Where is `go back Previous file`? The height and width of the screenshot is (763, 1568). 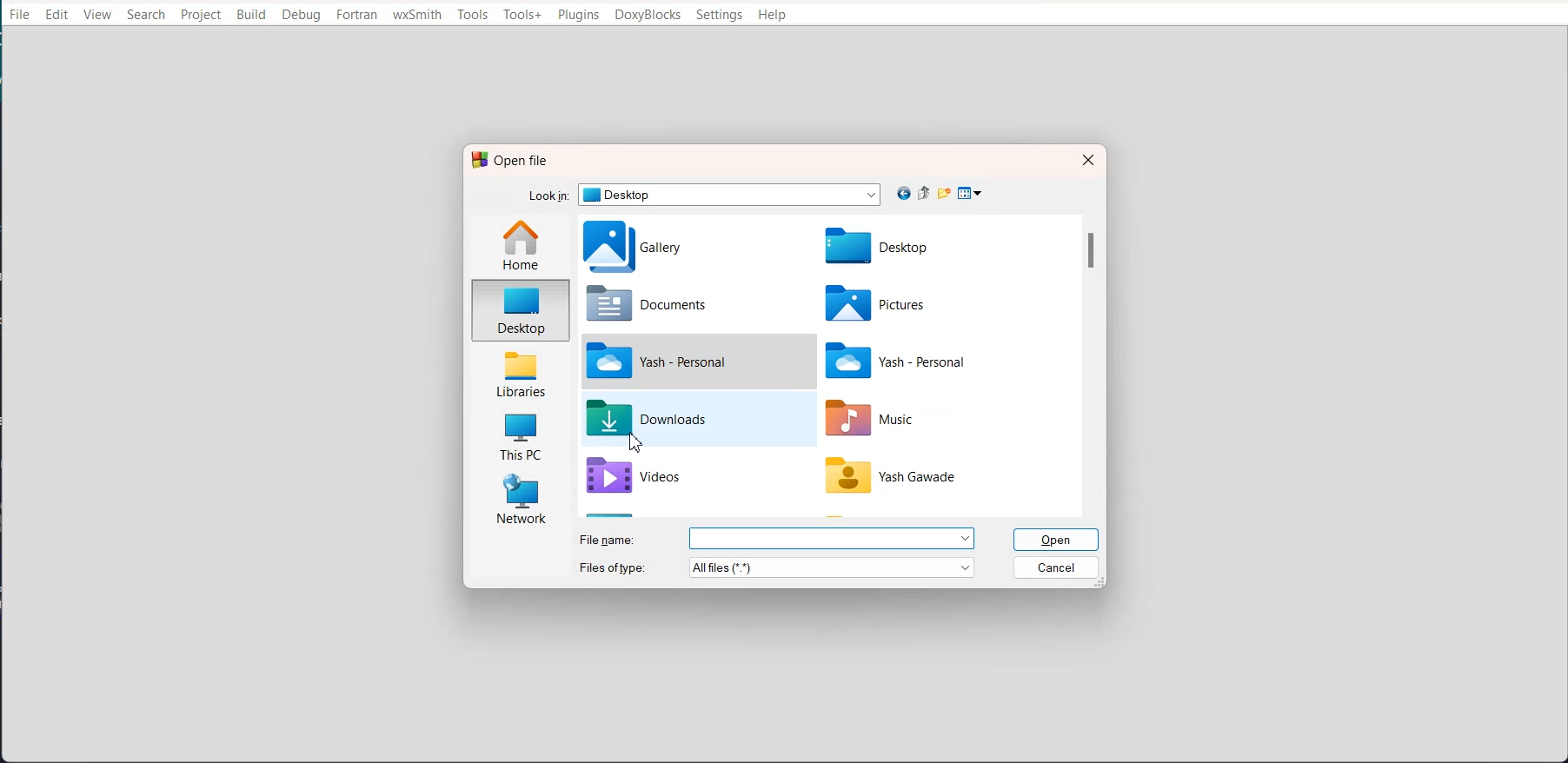
go back Previous file is located at coordinates (905, 194).